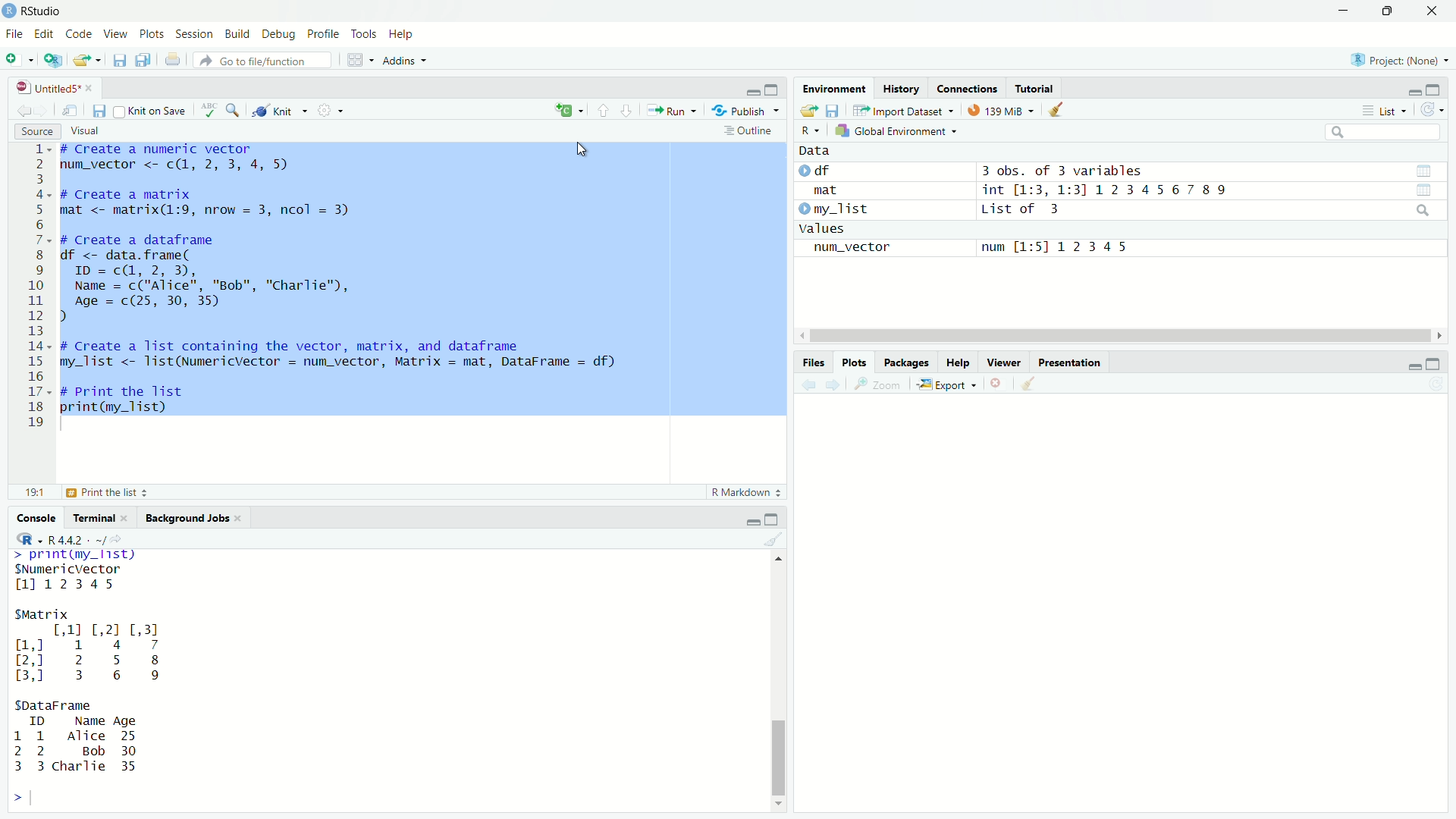  I want to click on Terminal, so click(99, 516).